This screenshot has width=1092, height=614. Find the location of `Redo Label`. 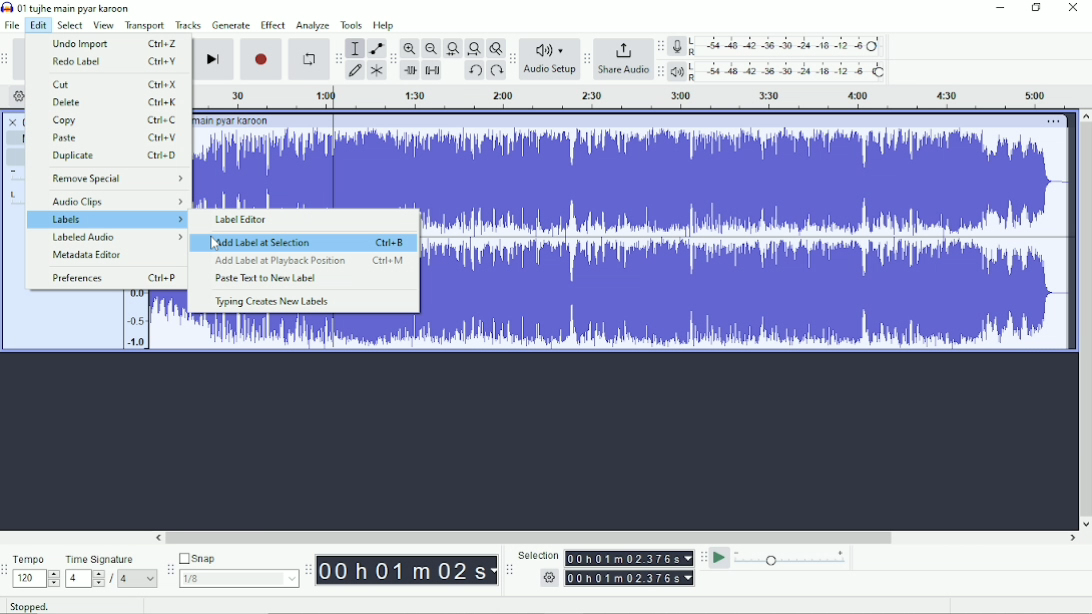

Redo Label is located at coordinates (112, 62).